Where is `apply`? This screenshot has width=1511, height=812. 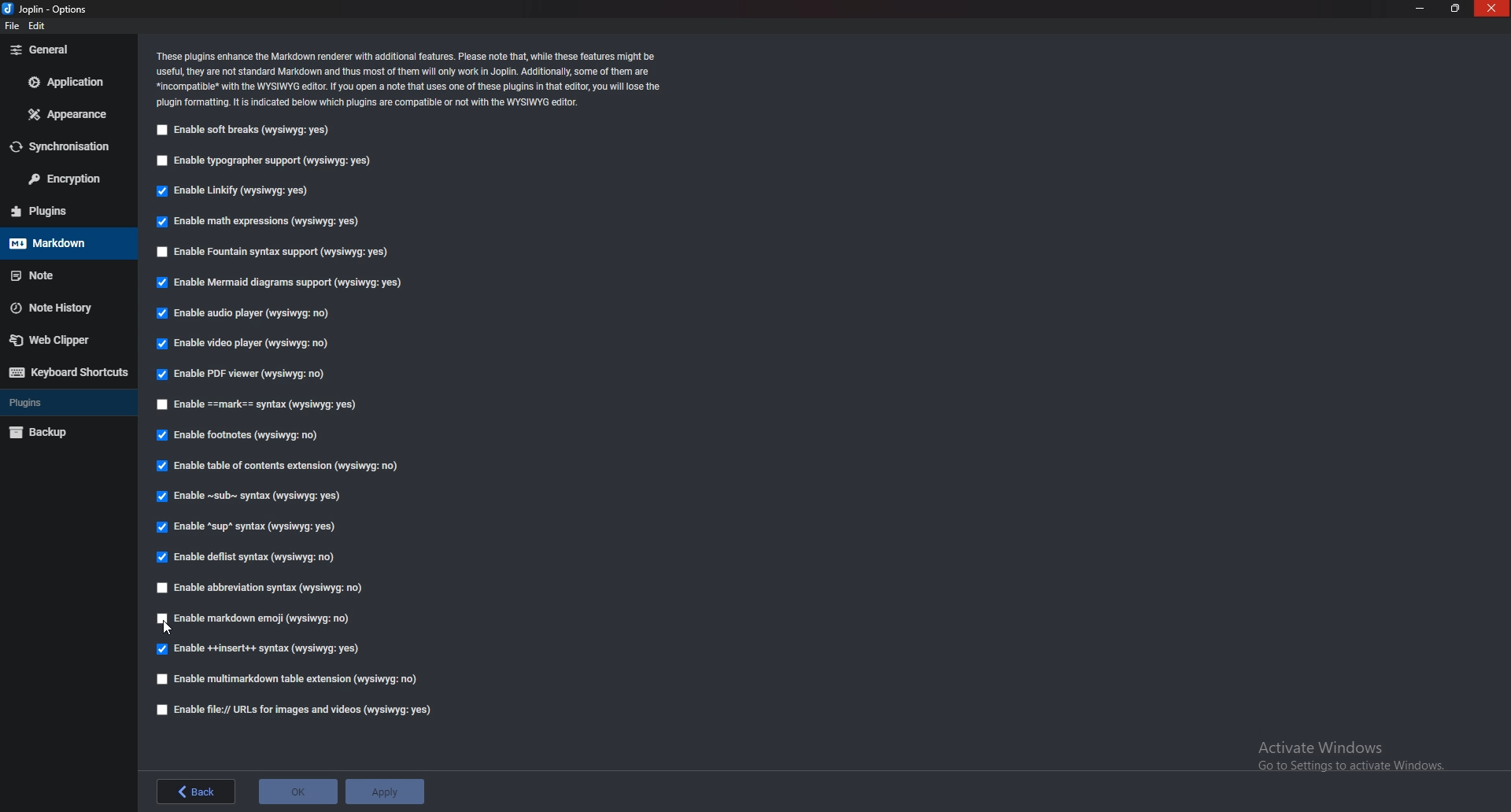
apply is located at coordinates (385, 792).